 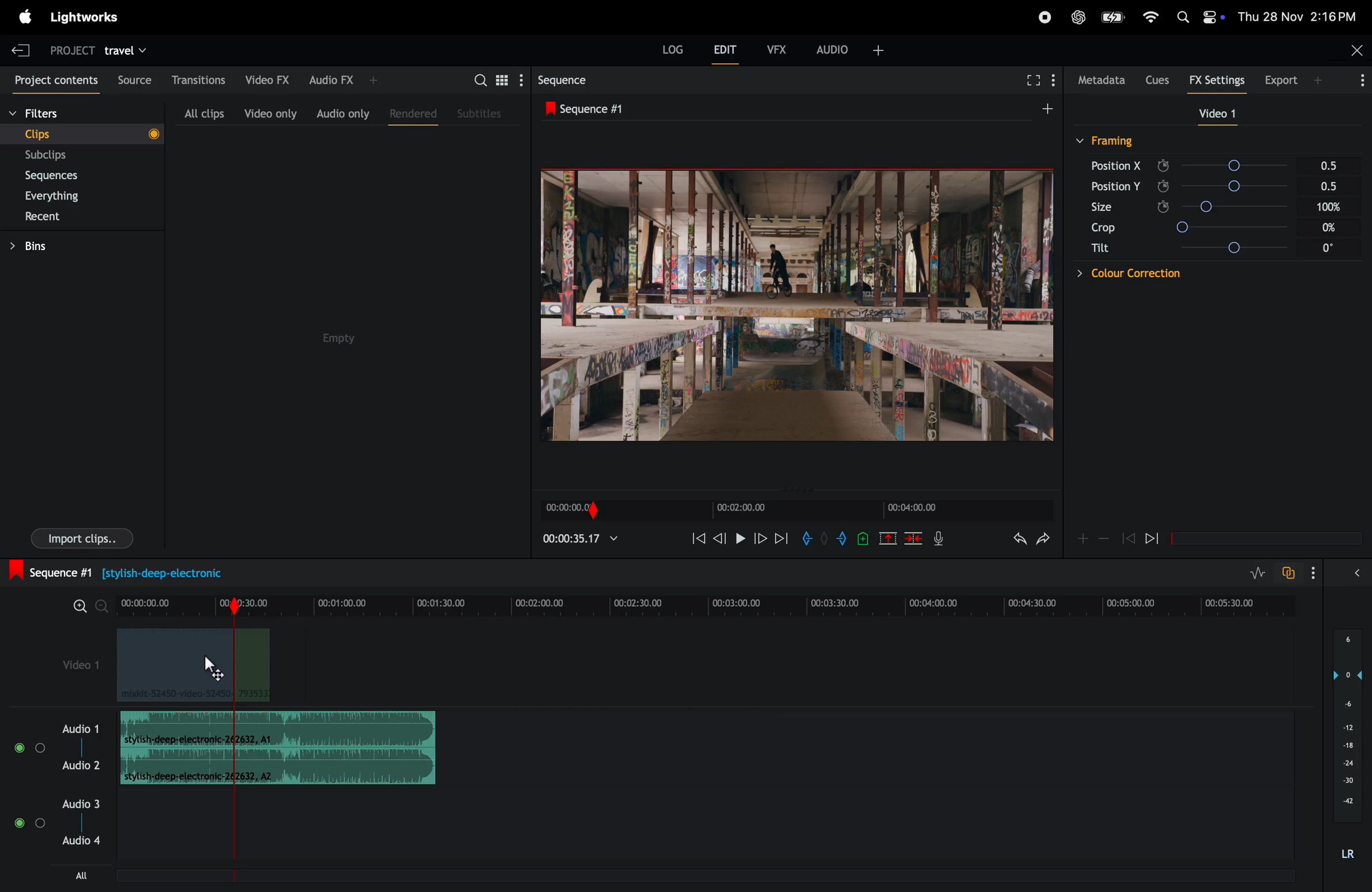 I want to click on add key frame, so click(x=1083, y=538).